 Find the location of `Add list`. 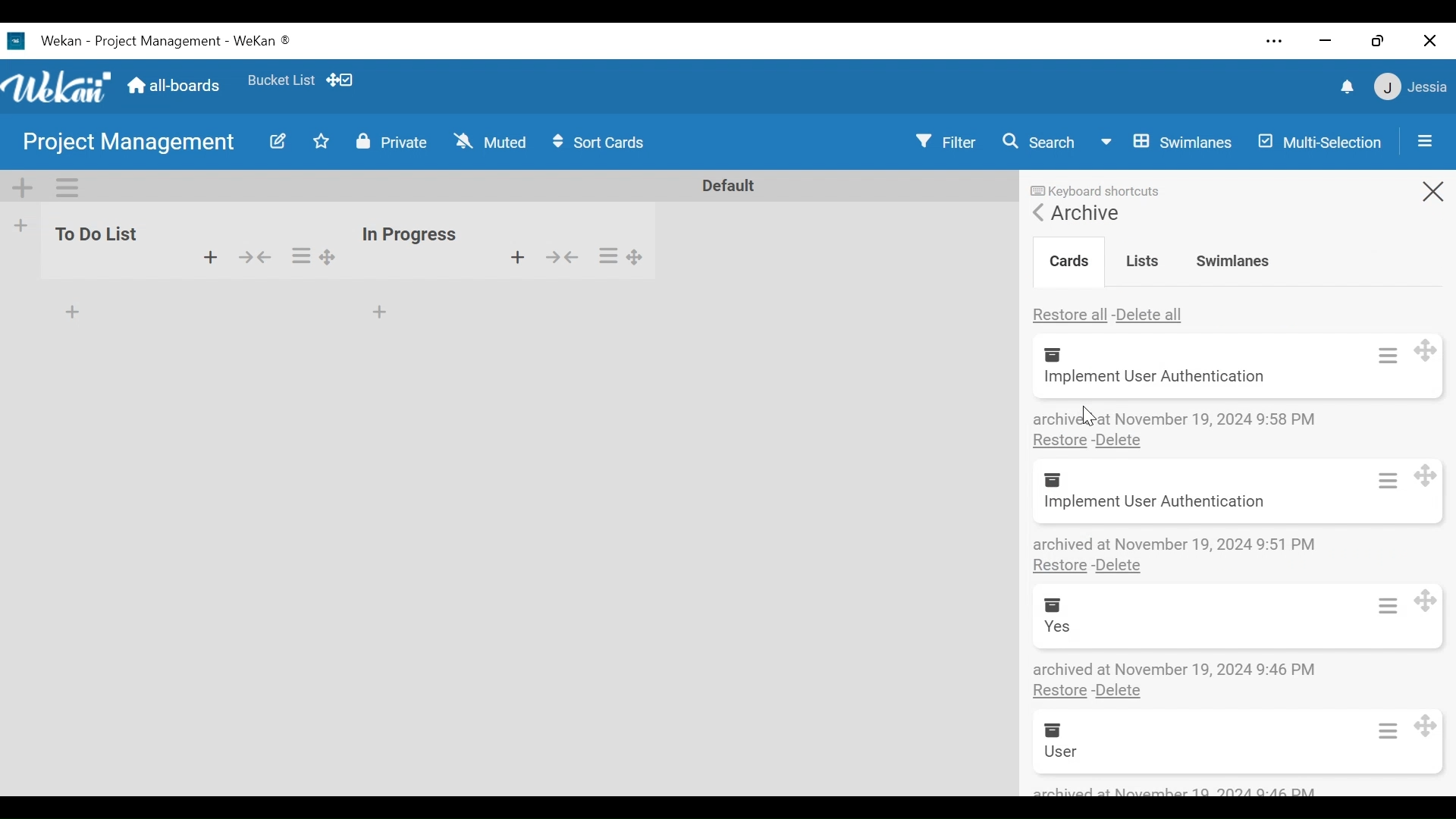

Add list is located at coordinates (22, 224).